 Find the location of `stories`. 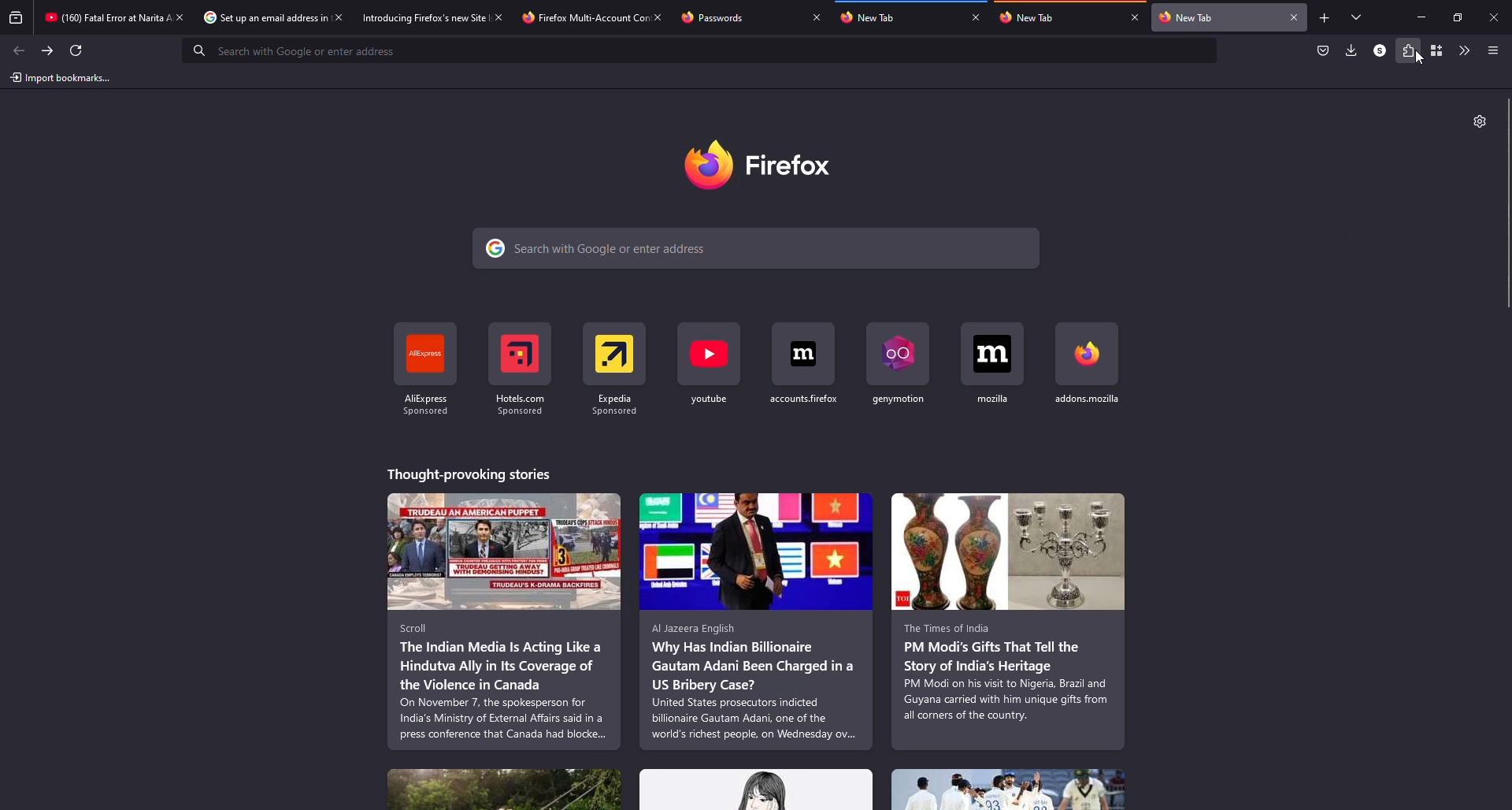

stories is located at coordinates (504, 621).